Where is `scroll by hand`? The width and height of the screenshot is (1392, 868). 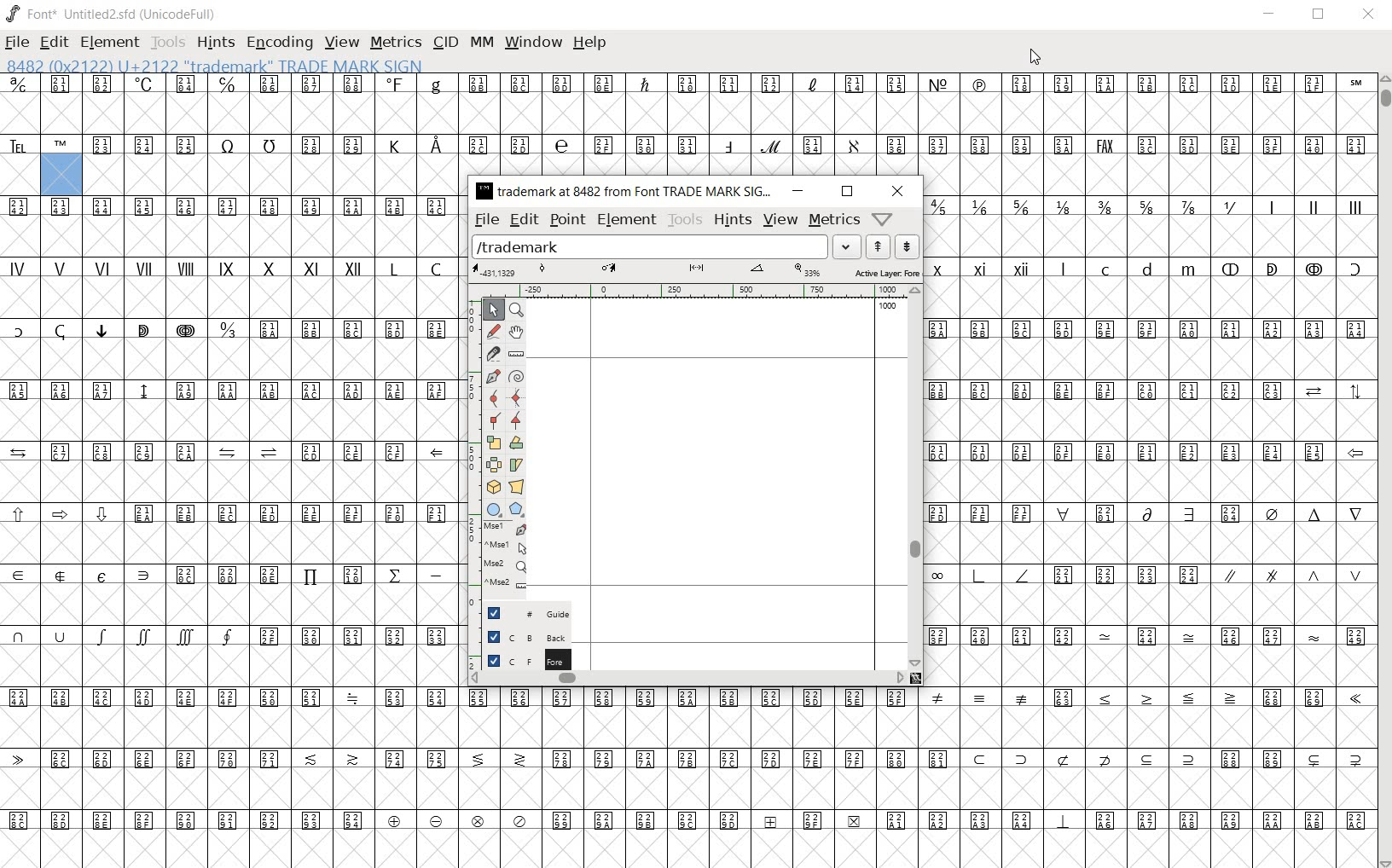
scroll by hand is located at coordinates (517, 333).